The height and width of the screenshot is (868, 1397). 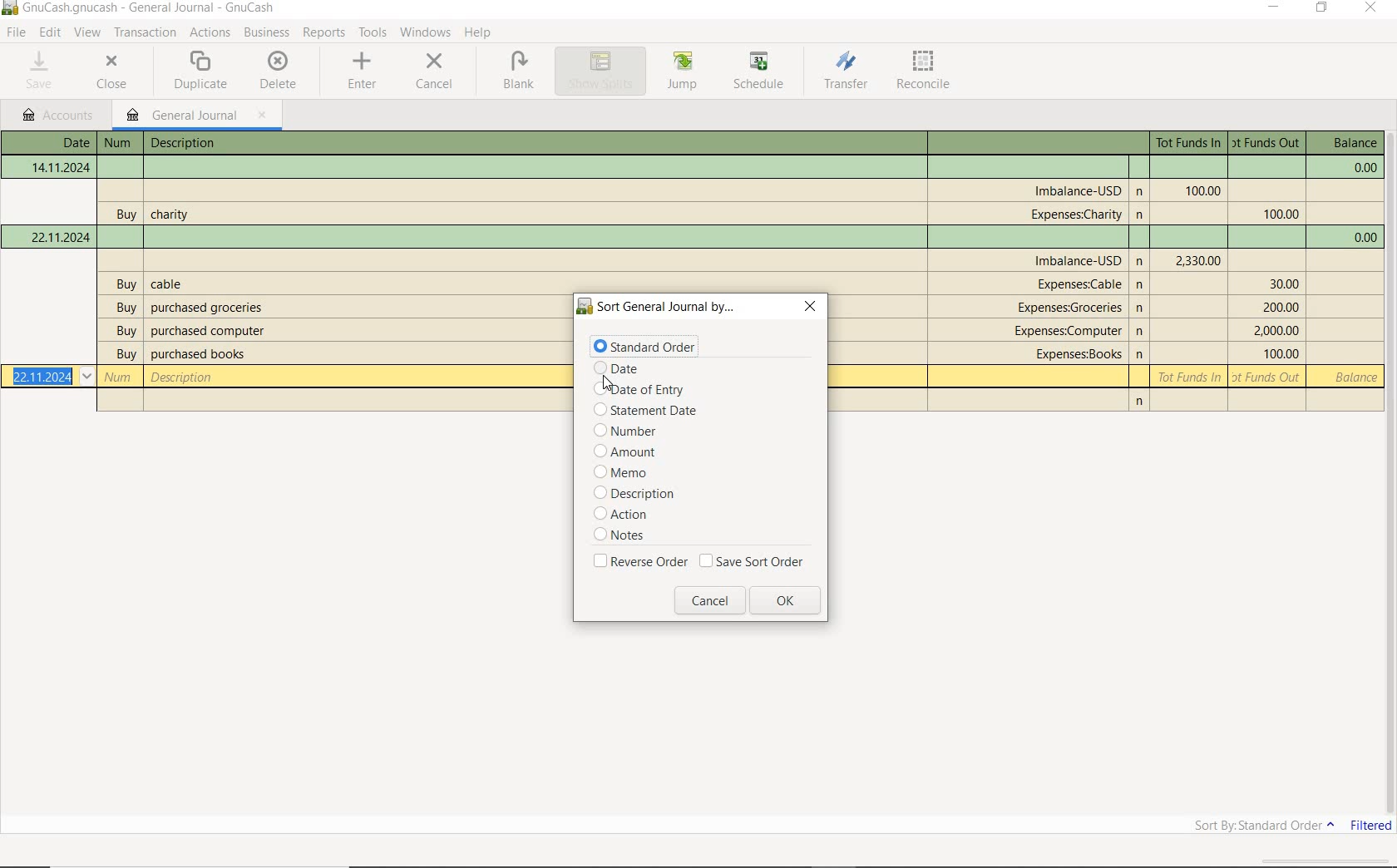 What do you see at coordinates (1276, 10) in the screenshot?
I see `MINIMIZE` at bounding box center [1276, 10].